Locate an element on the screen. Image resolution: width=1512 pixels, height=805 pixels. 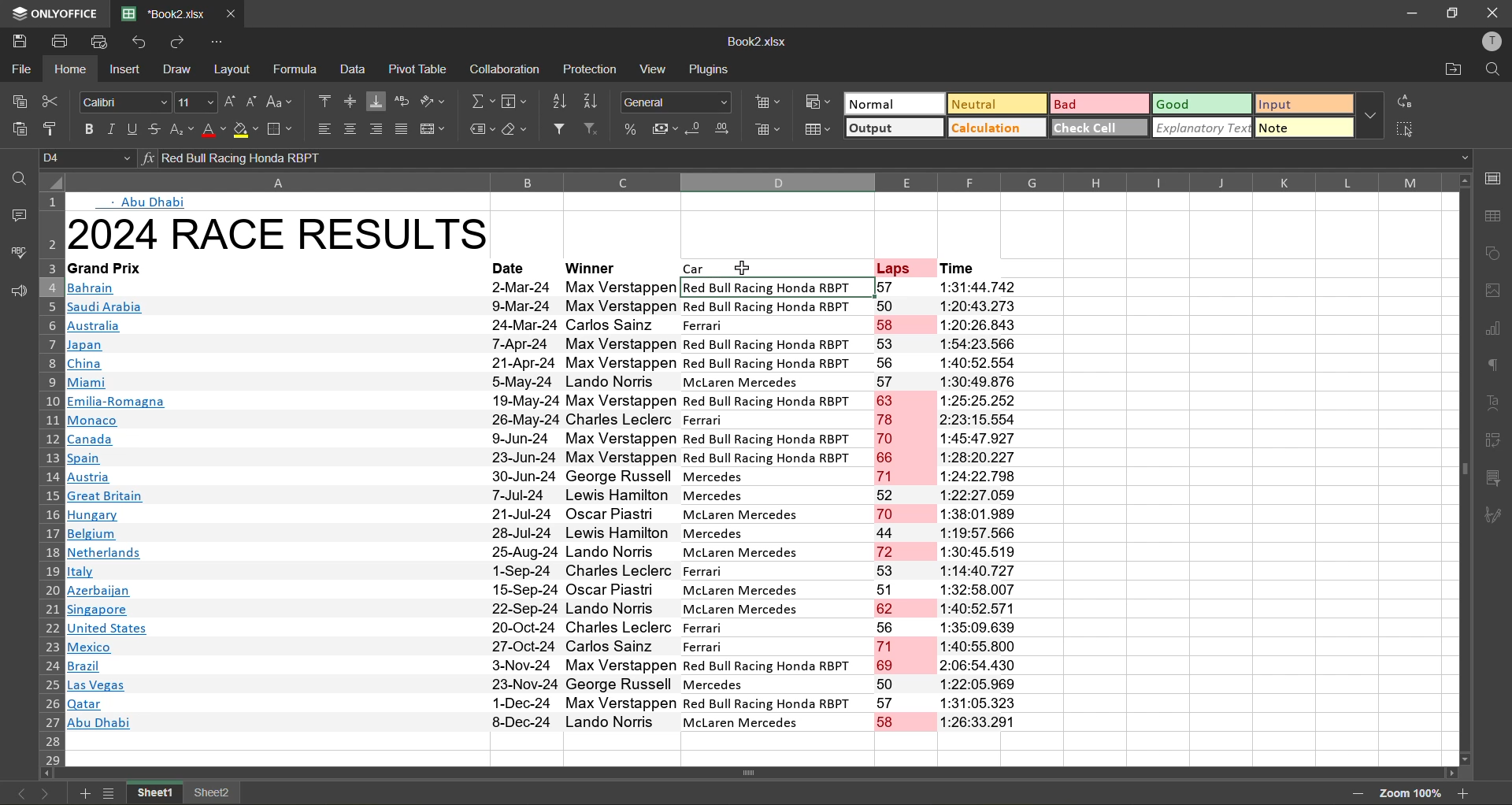
text is located at coordinates (1494, 402).